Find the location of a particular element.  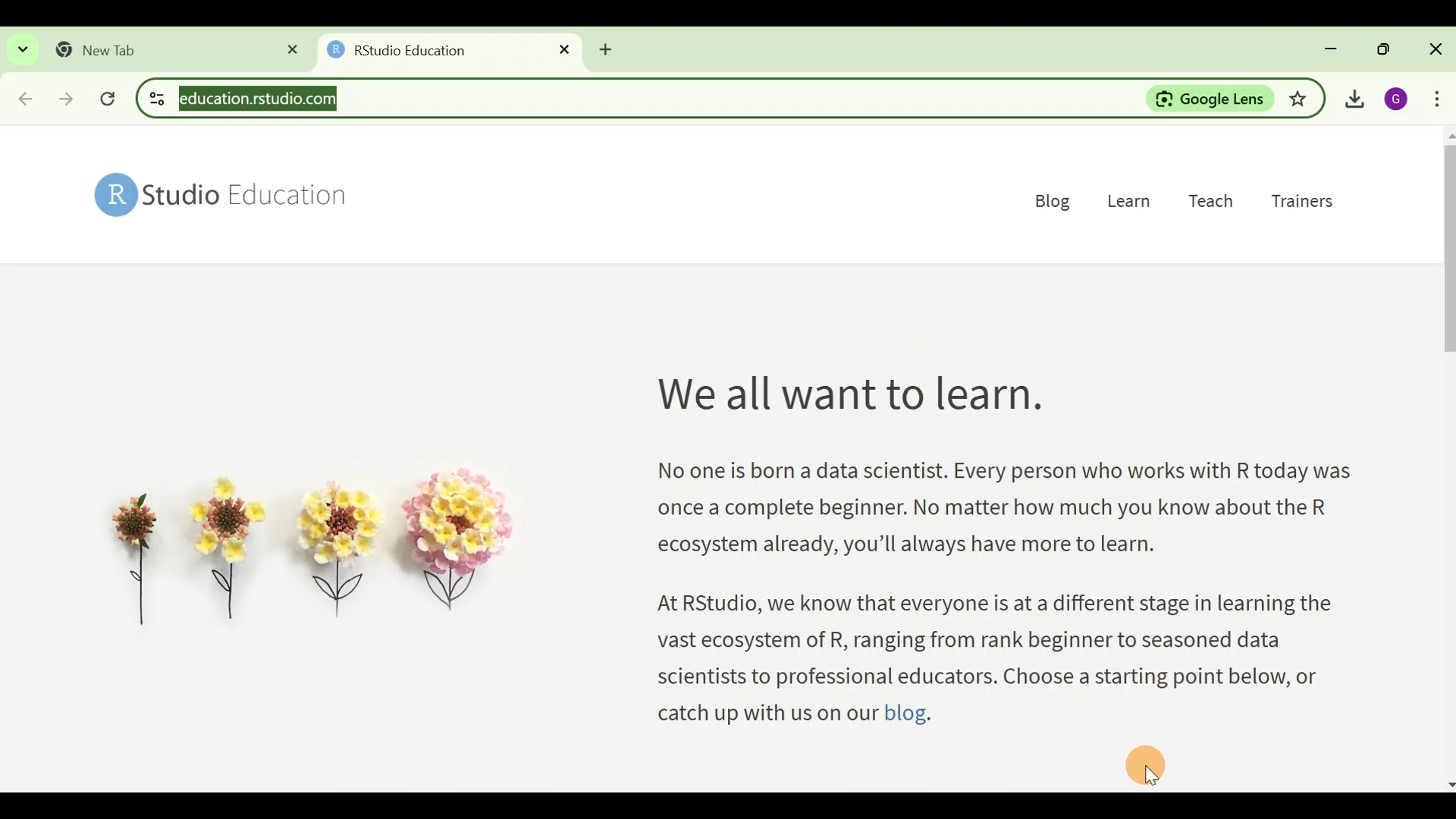

Maximize is located at coordinates (1380, 47).